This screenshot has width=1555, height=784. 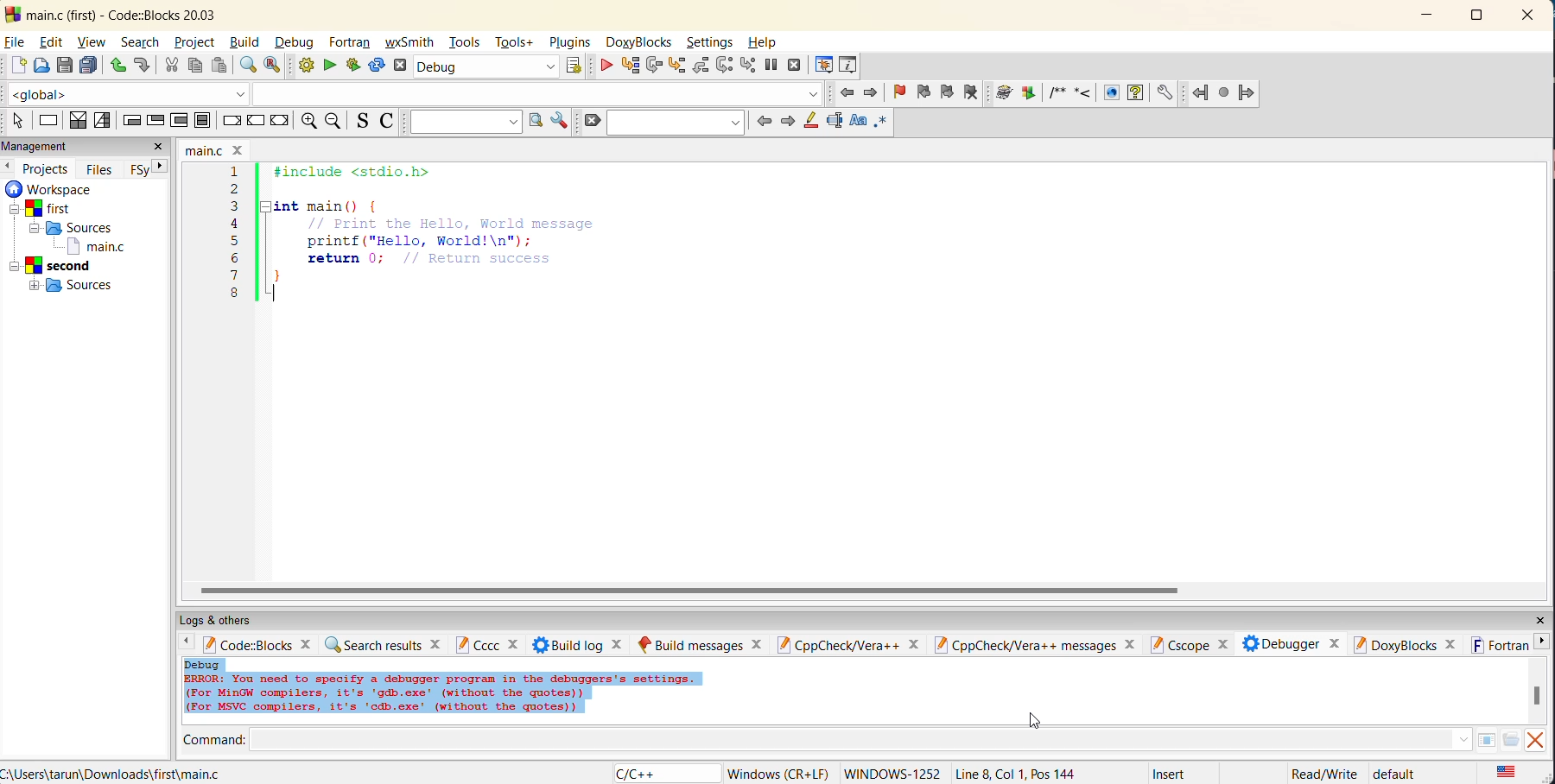 What do you see at coordinates (562, 119) in the screenshot?
I see `show options window` at bounding box center [562, 119].